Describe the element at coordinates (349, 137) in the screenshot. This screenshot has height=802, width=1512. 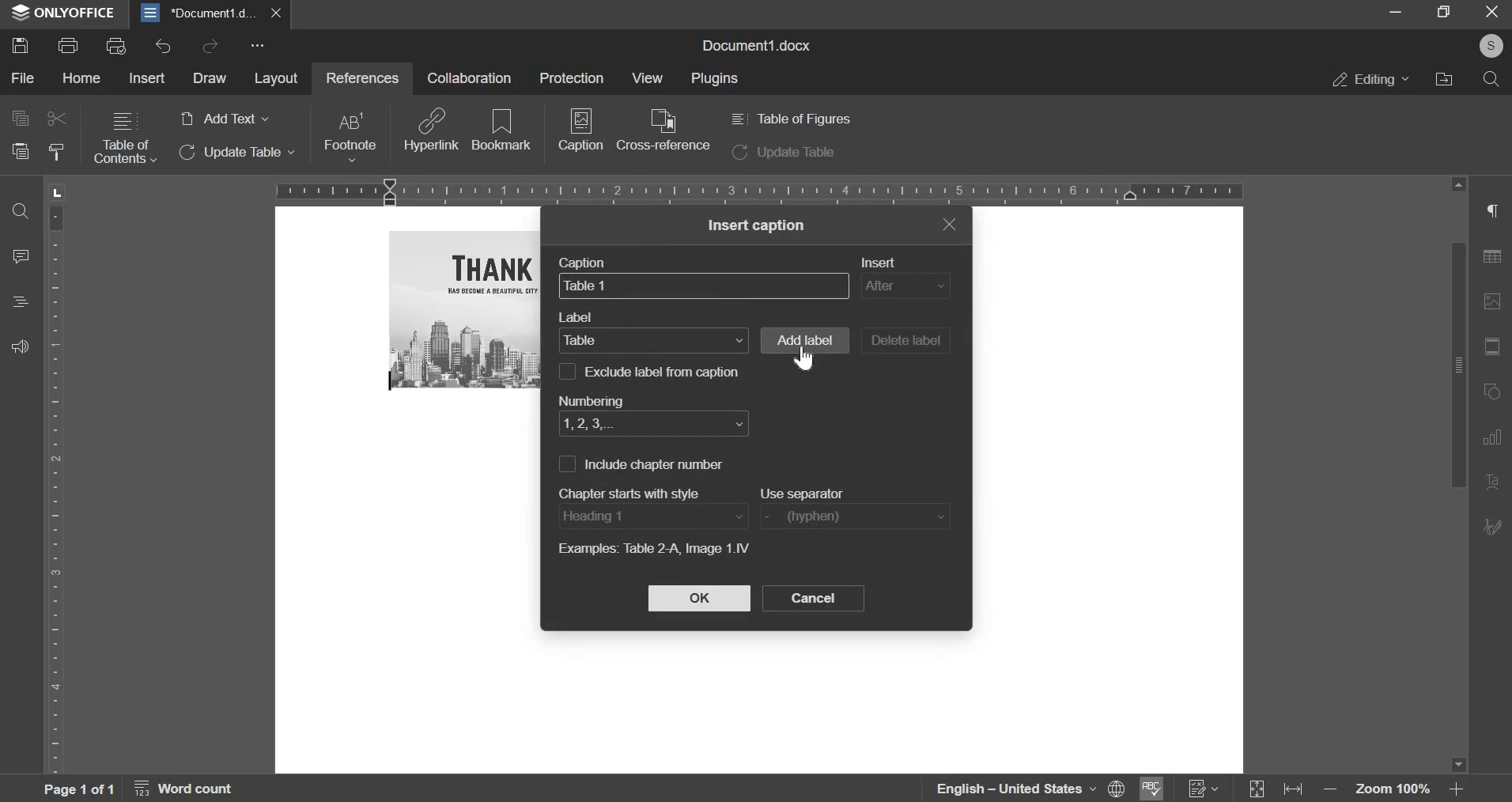
I see `footnote` at that location.